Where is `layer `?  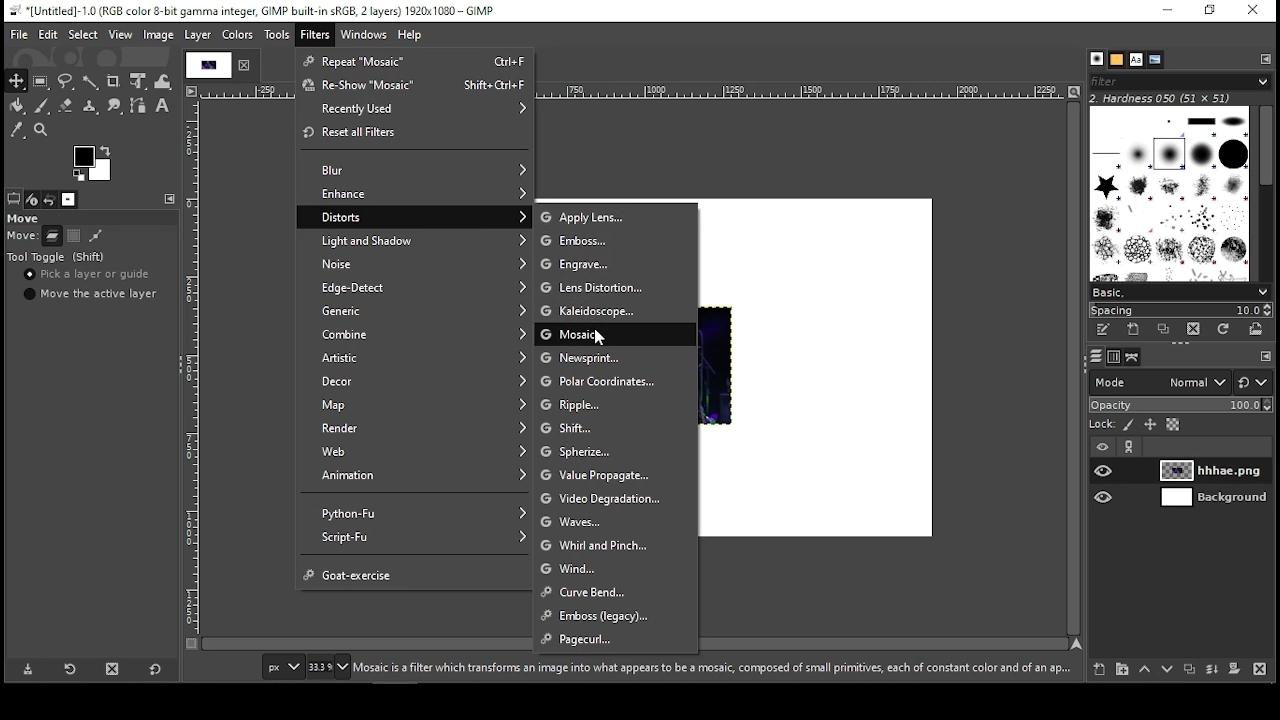 layer  is located at coordinates (1215, 499).